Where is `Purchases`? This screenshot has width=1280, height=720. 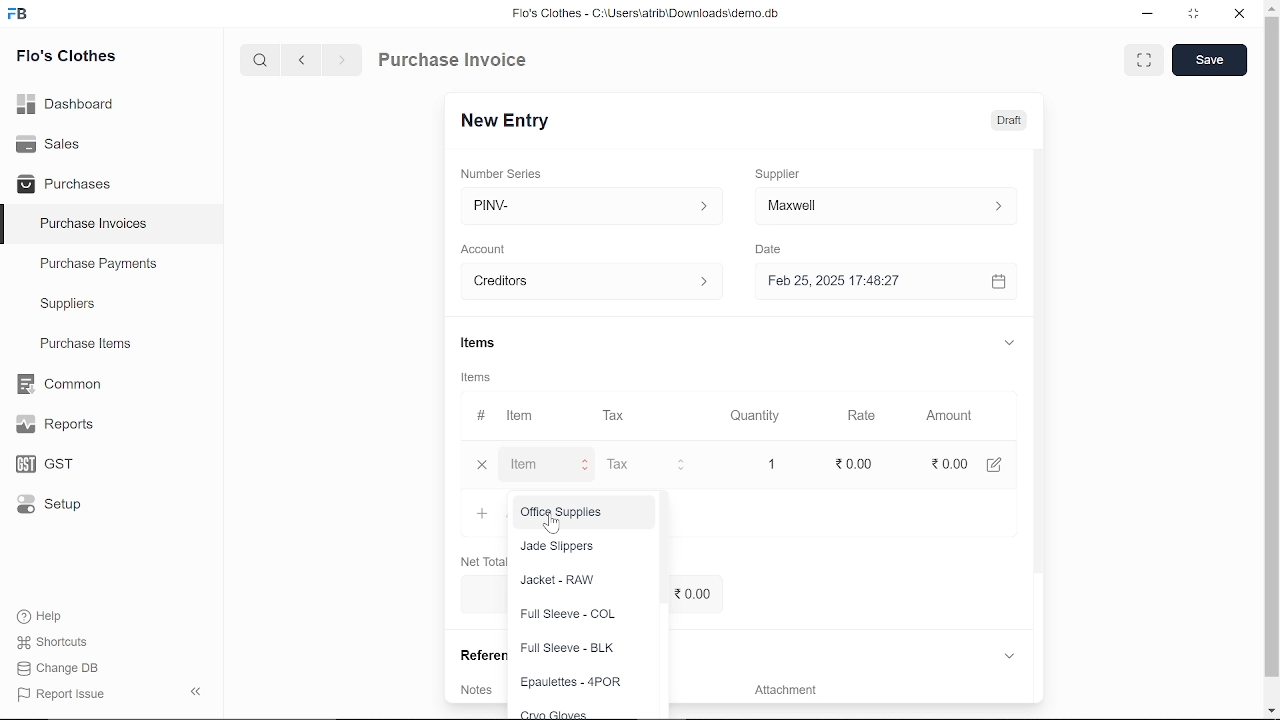 Purchases is located at coordinates (64, 182).